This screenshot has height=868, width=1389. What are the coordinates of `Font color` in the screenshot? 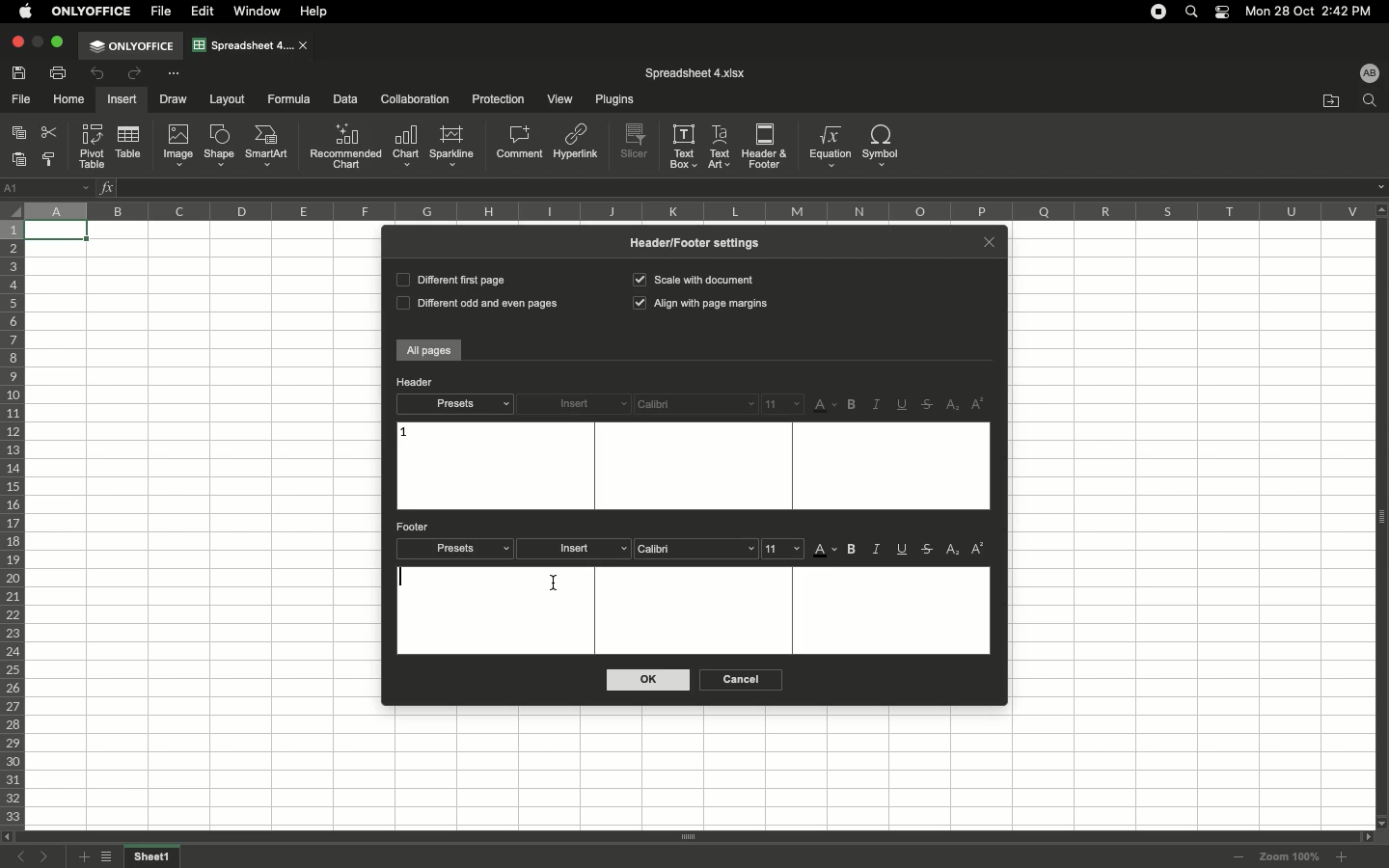 It's located at (826, 406).